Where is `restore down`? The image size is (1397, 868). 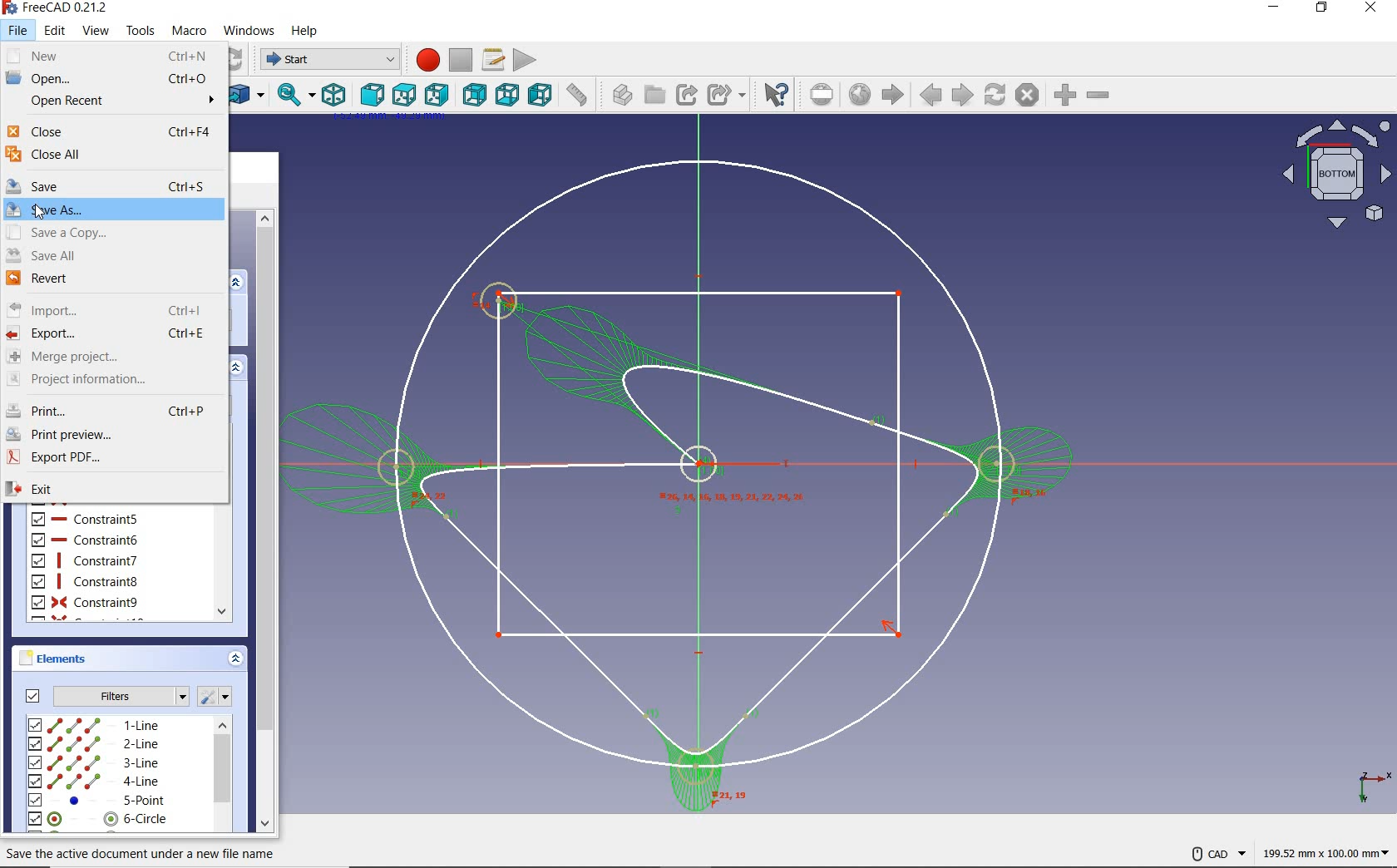
restore down is located at coordinates (1321, 10).